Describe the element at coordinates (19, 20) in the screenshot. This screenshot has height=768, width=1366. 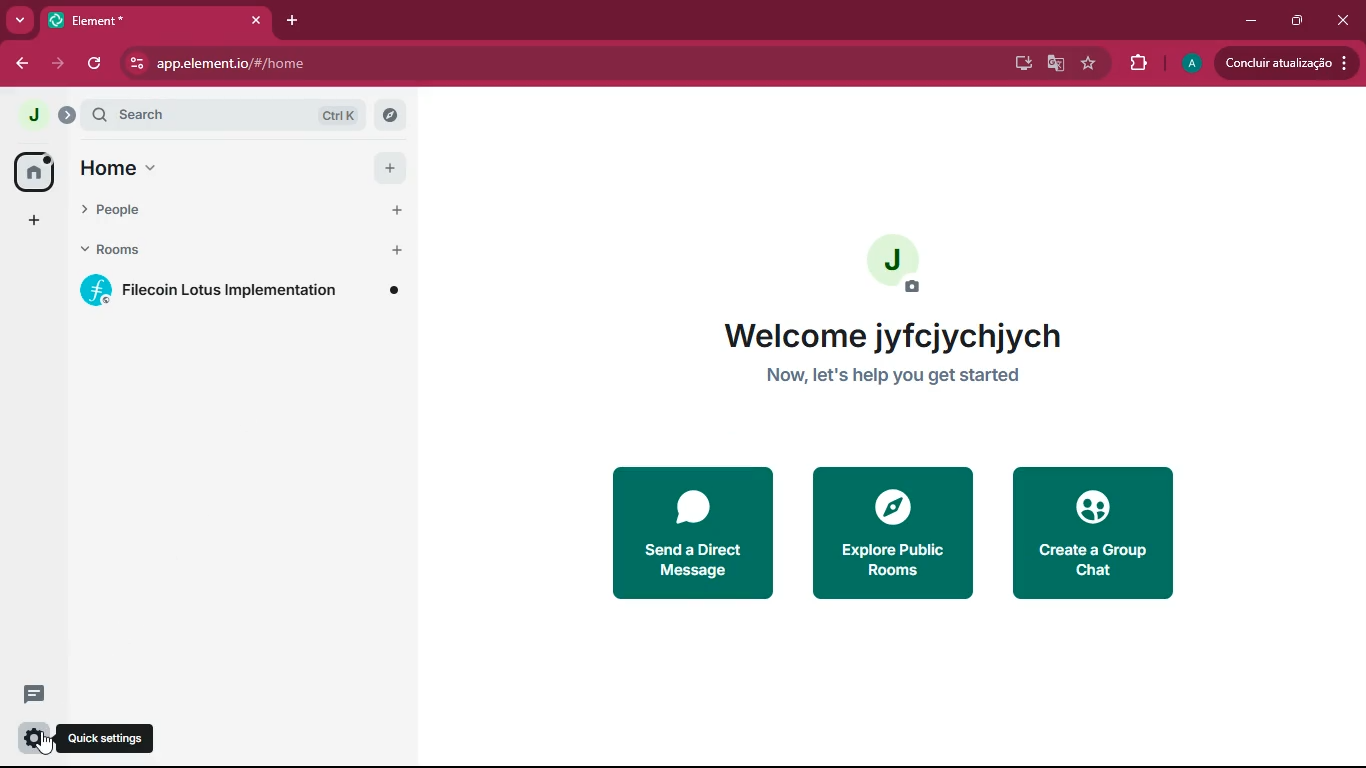
I see `more` at that location.